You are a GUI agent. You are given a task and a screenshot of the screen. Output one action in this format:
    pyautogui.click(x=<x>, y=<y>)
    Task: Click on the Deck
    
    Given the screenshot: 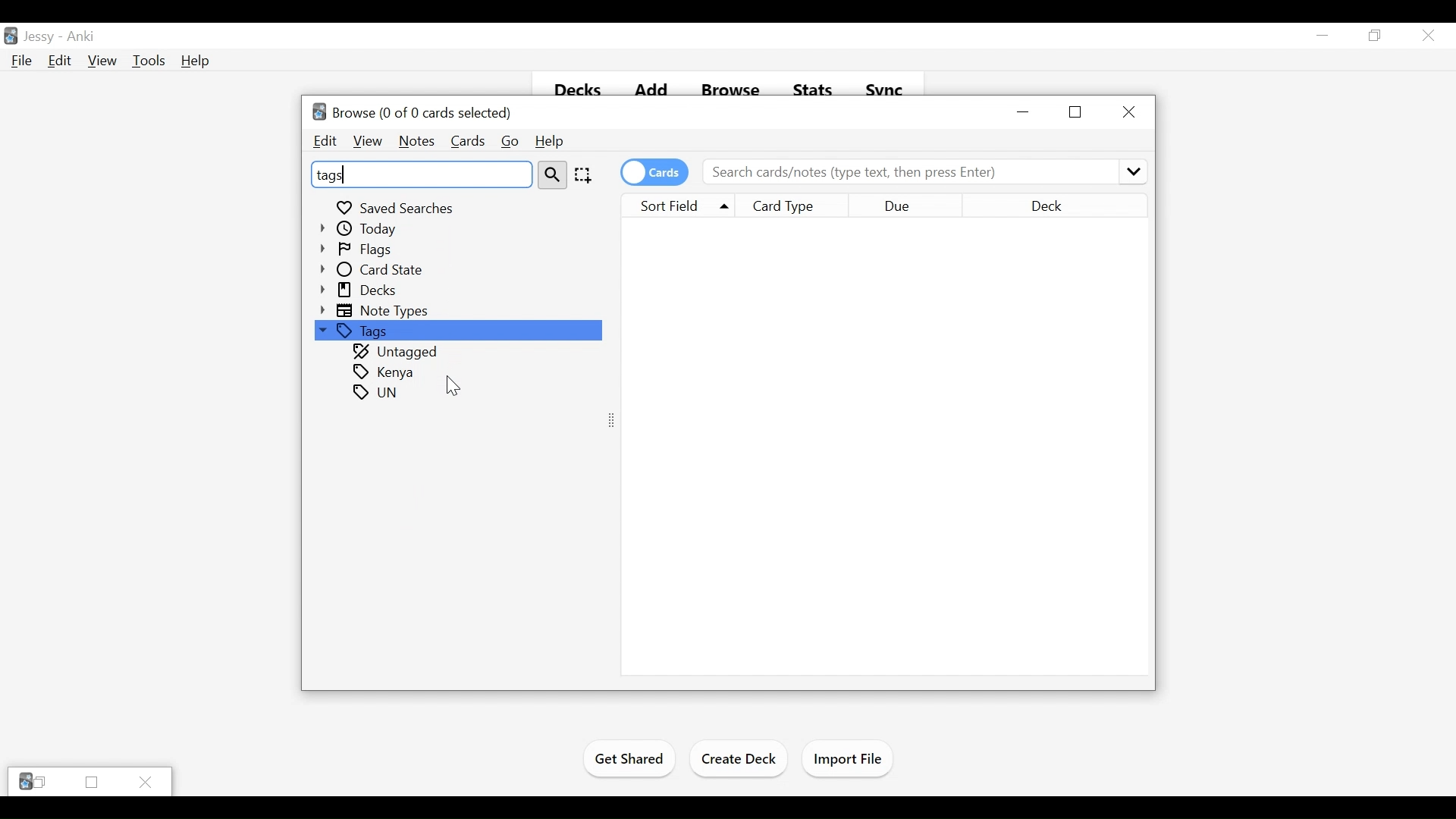 What is the action you would take?
    pyautogui.click(x=1072, y=206)
    